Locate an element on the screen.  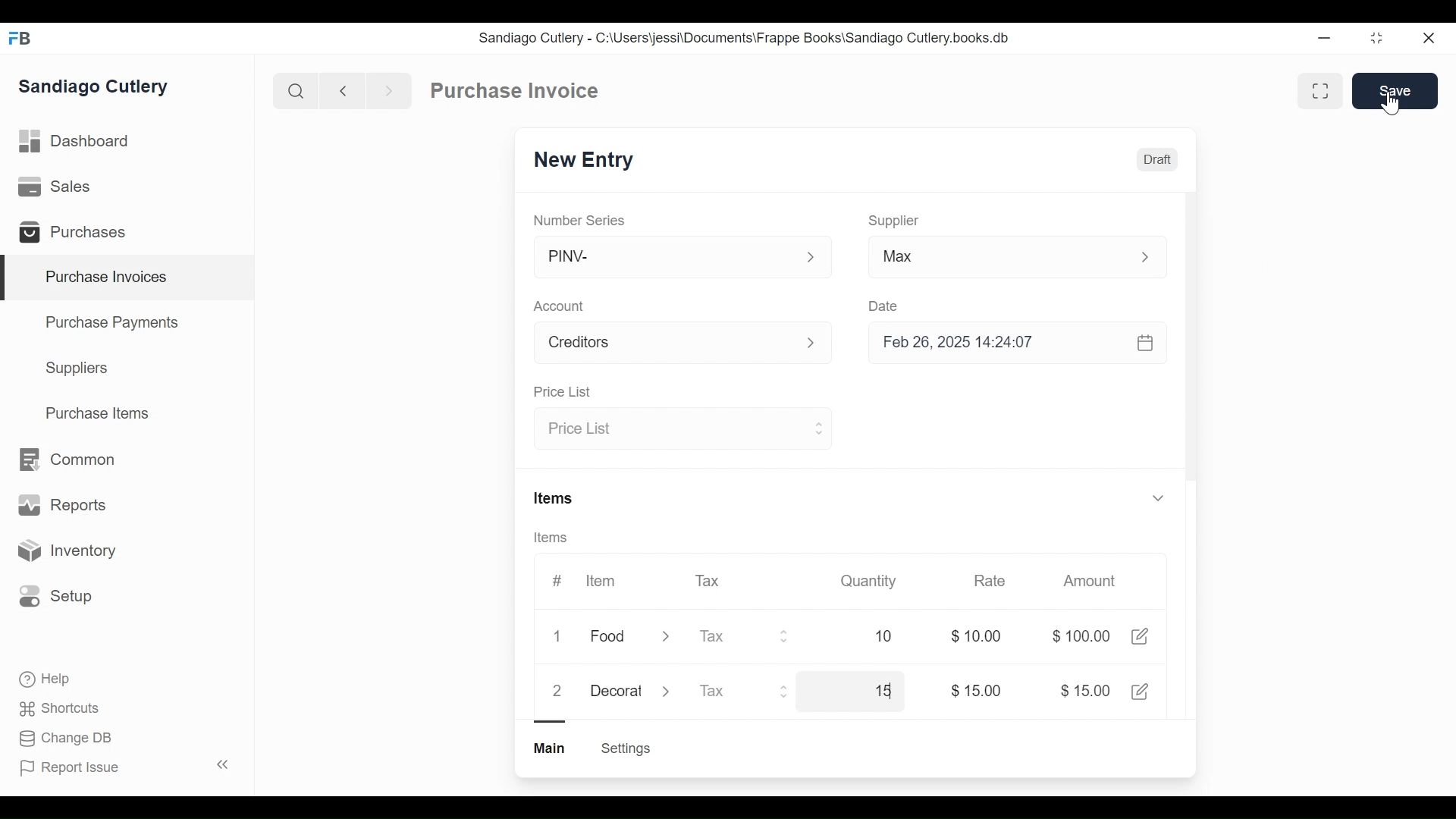
Quantity is located at coordinates (867, 580).